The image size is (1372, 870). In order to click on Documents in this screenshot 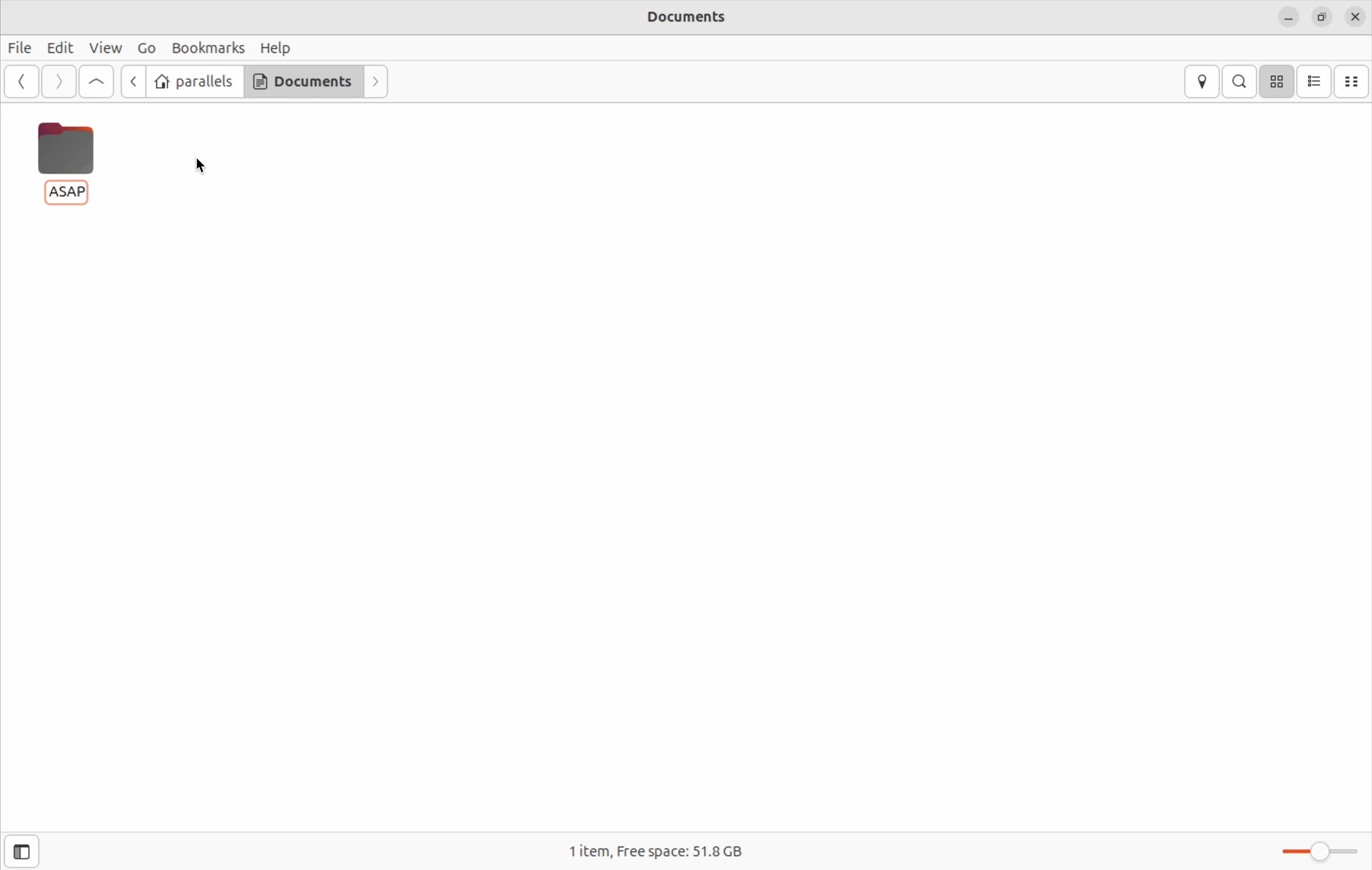, I will do `click(301, 83)`.